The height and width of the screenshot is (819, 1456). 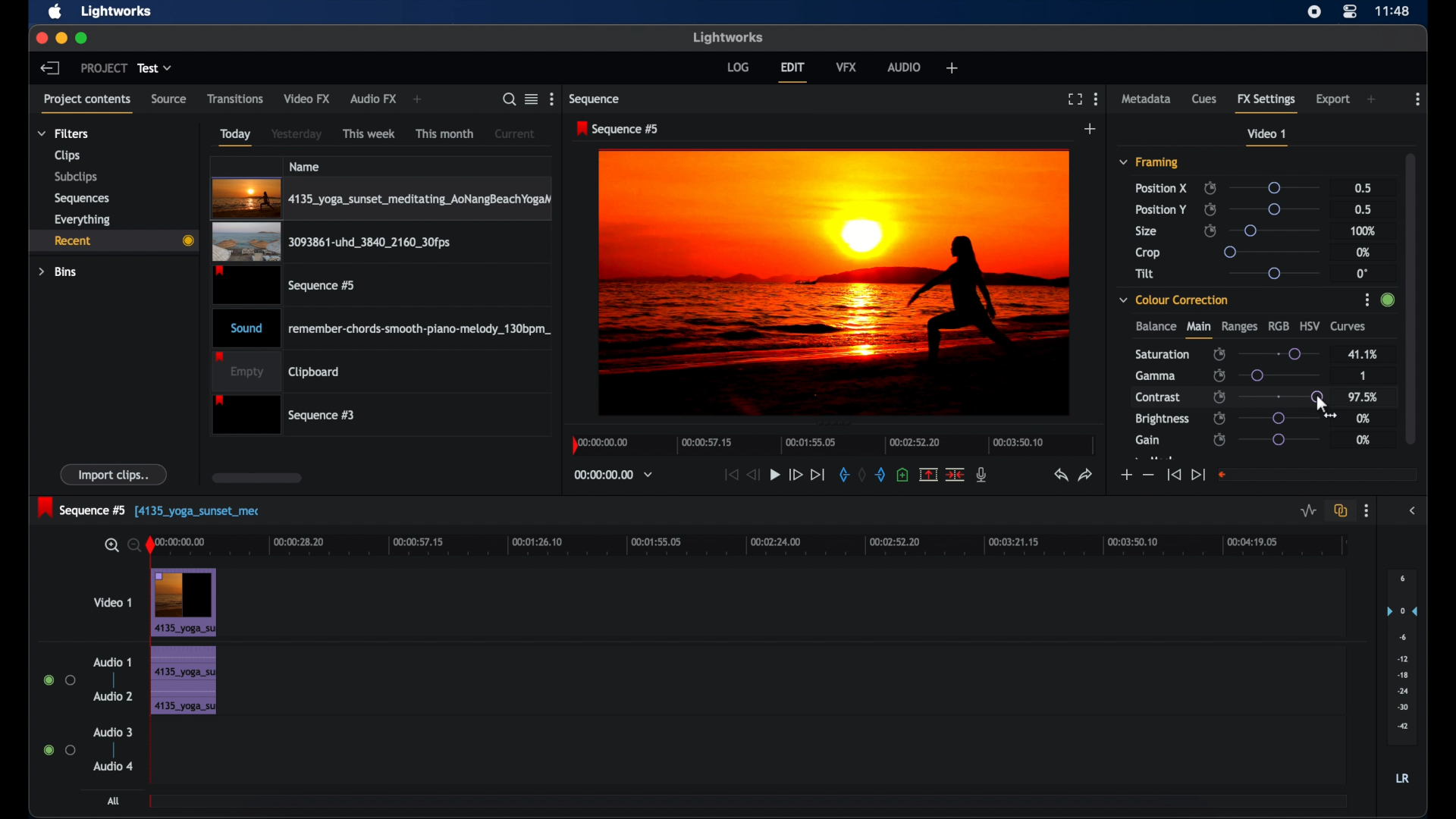 I want to click on metadata, so click(x=1147, y=99).